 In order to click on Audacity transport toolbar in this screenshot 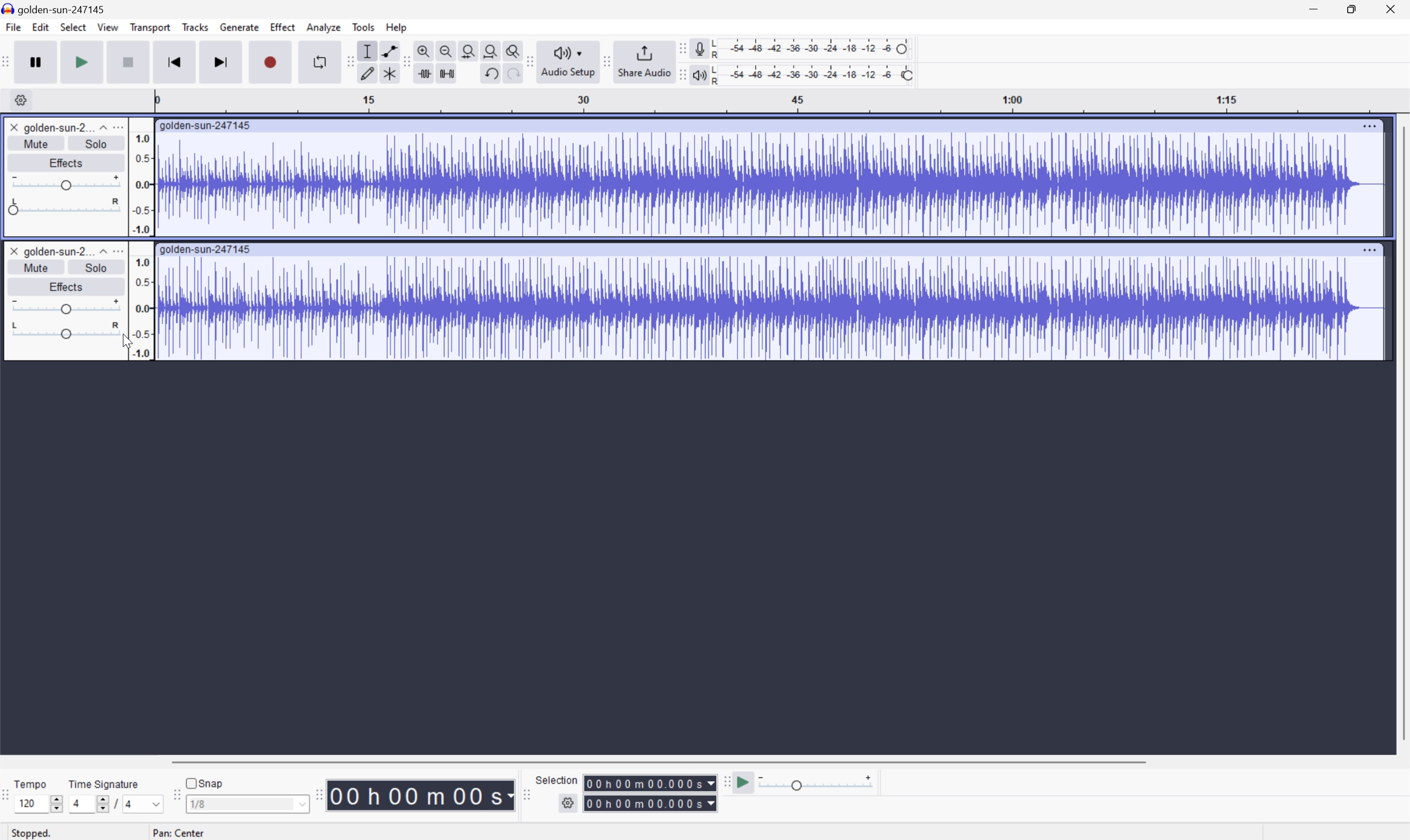, I will do `click(10, 63)`.